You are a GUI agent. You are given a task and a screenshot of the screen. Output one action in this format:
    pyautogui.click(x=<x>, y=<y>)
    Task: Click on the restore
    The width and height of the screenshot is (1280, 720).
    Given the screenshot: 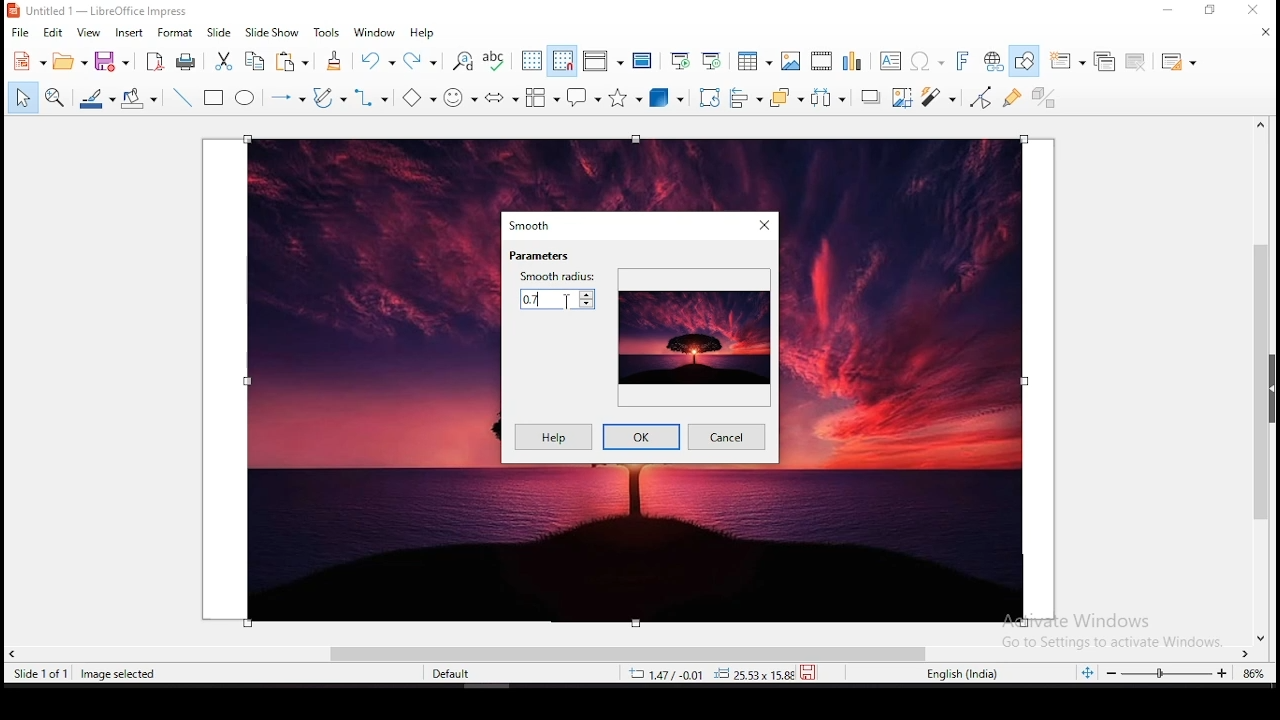 What is the action you would take?
    pyautogui.click(x=1212, y=12)
    